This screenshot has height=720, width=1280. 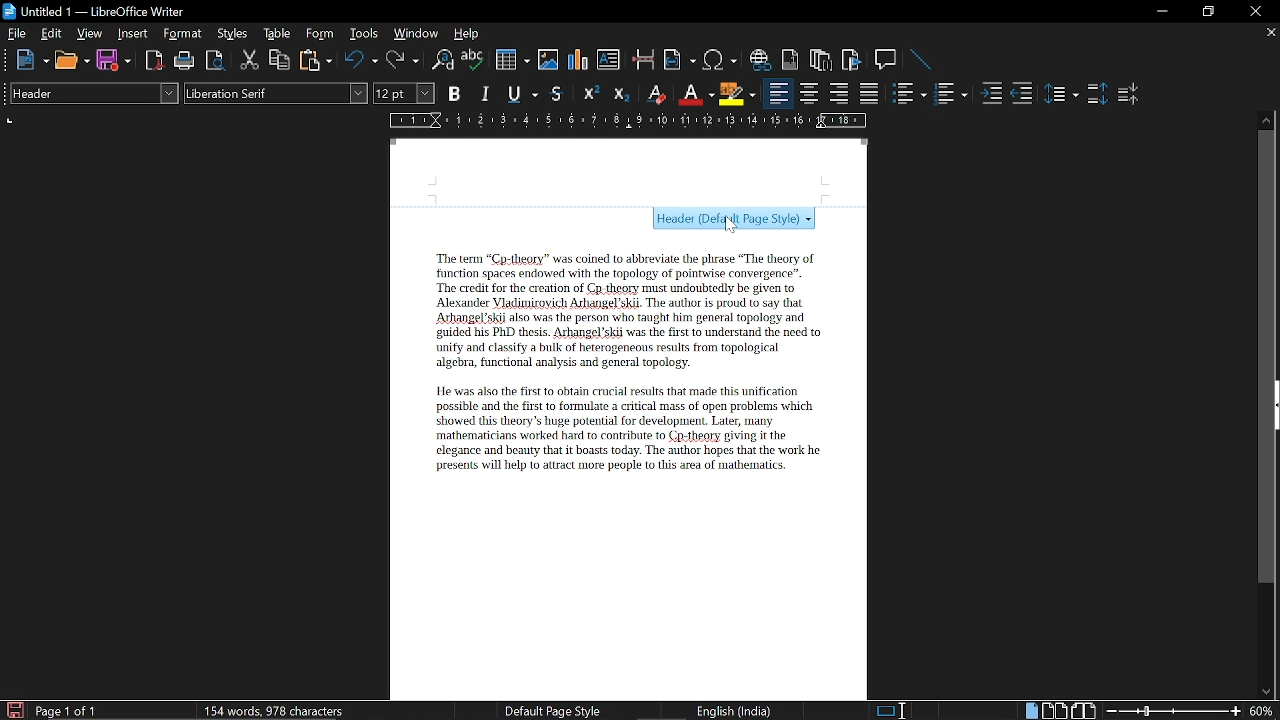 What do you see at coordinates (1130, 93) in the screenshot?
I see `decrease paragraph spacing Decrease paragraph spacing` at bounding box center [1130, 93].